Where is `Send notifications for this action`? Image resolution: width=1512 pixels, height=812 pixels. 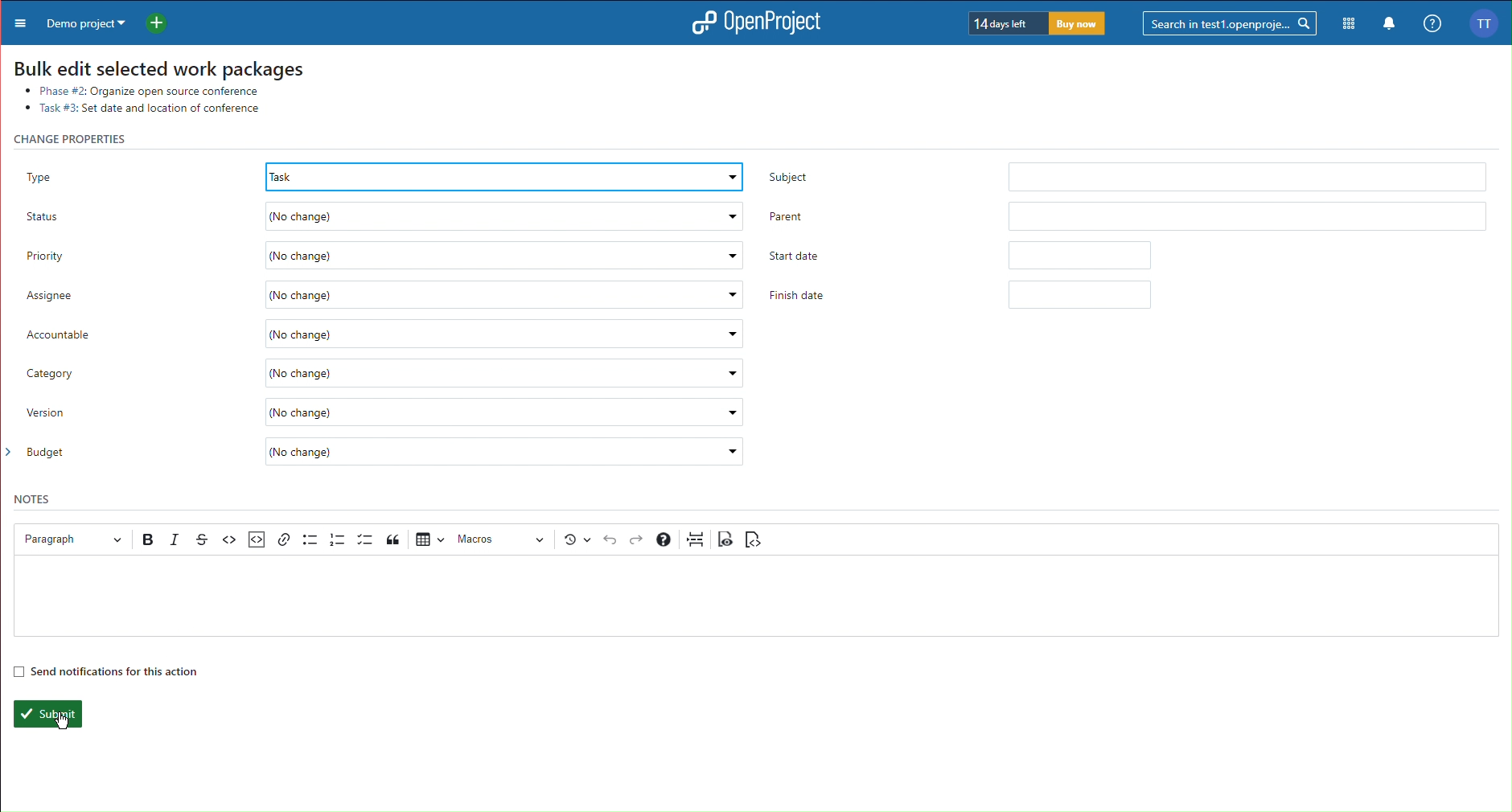
Send notifications for this action is located at coordinates (105, 671).